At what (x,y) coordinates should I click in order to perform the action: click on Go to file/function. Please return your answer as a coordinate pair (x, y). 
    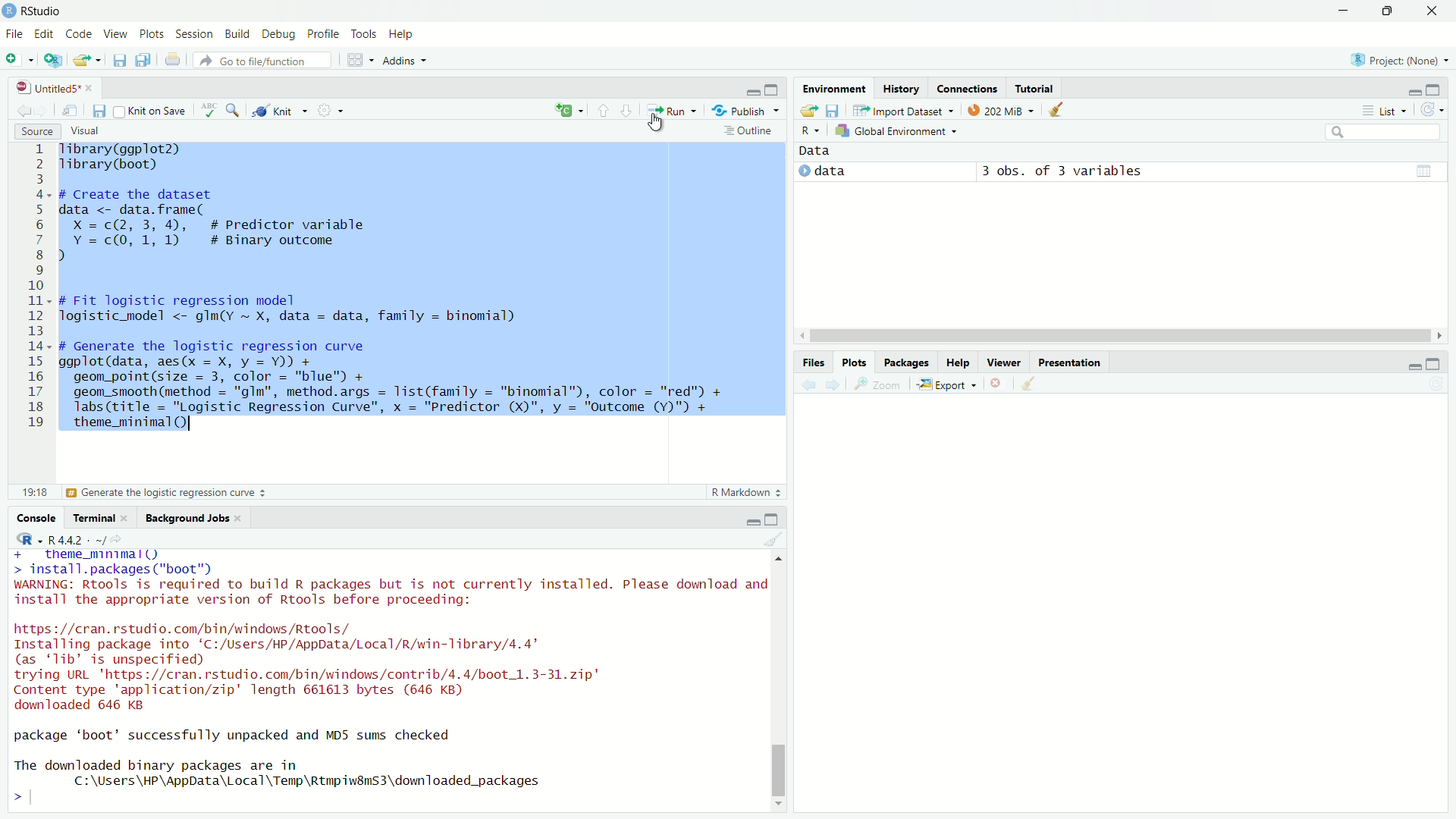
    Looking at the image, I should click on (262, 60).